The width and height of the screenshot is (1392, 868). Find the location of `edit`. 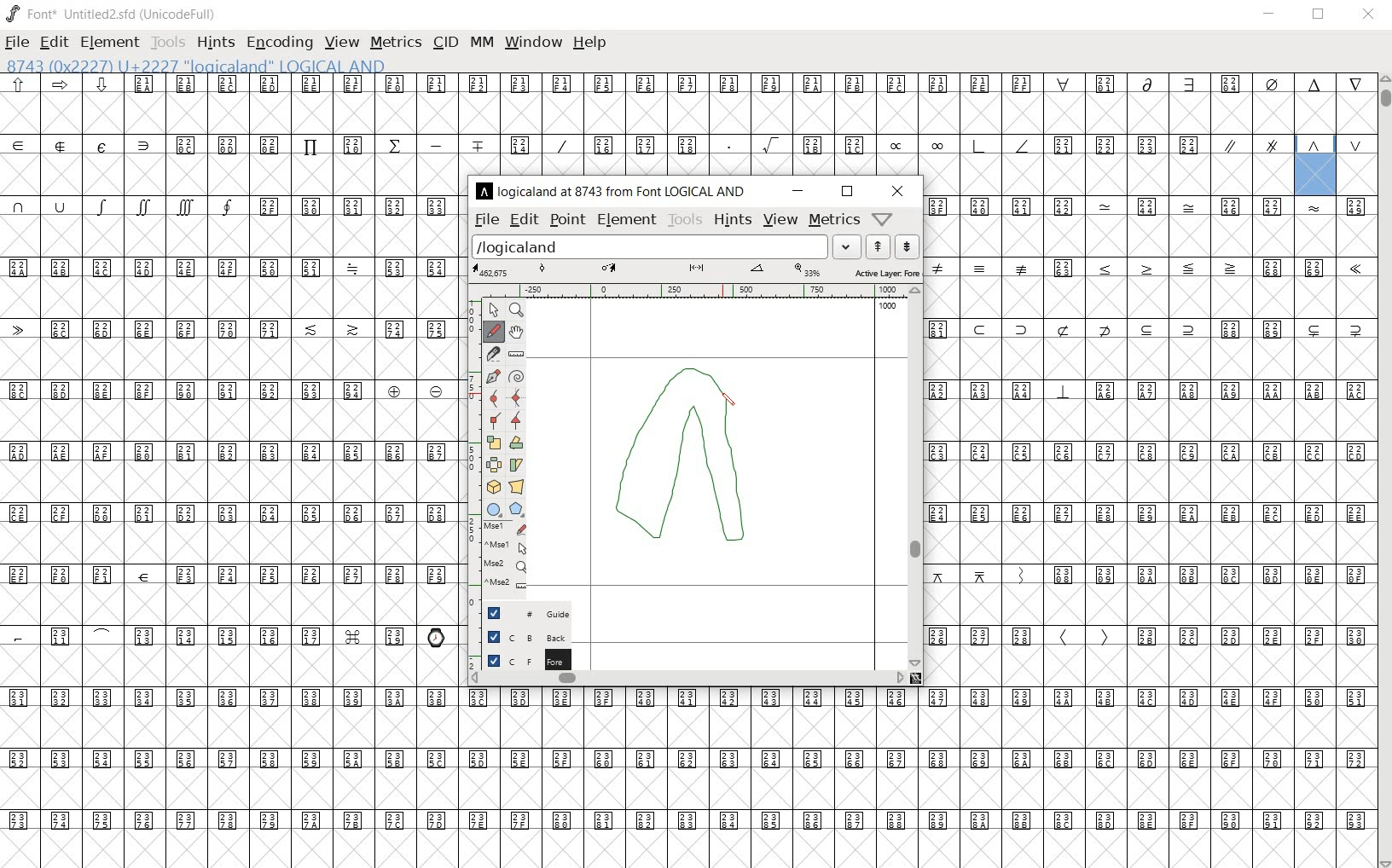

edit is located at coordinates (53, 42).